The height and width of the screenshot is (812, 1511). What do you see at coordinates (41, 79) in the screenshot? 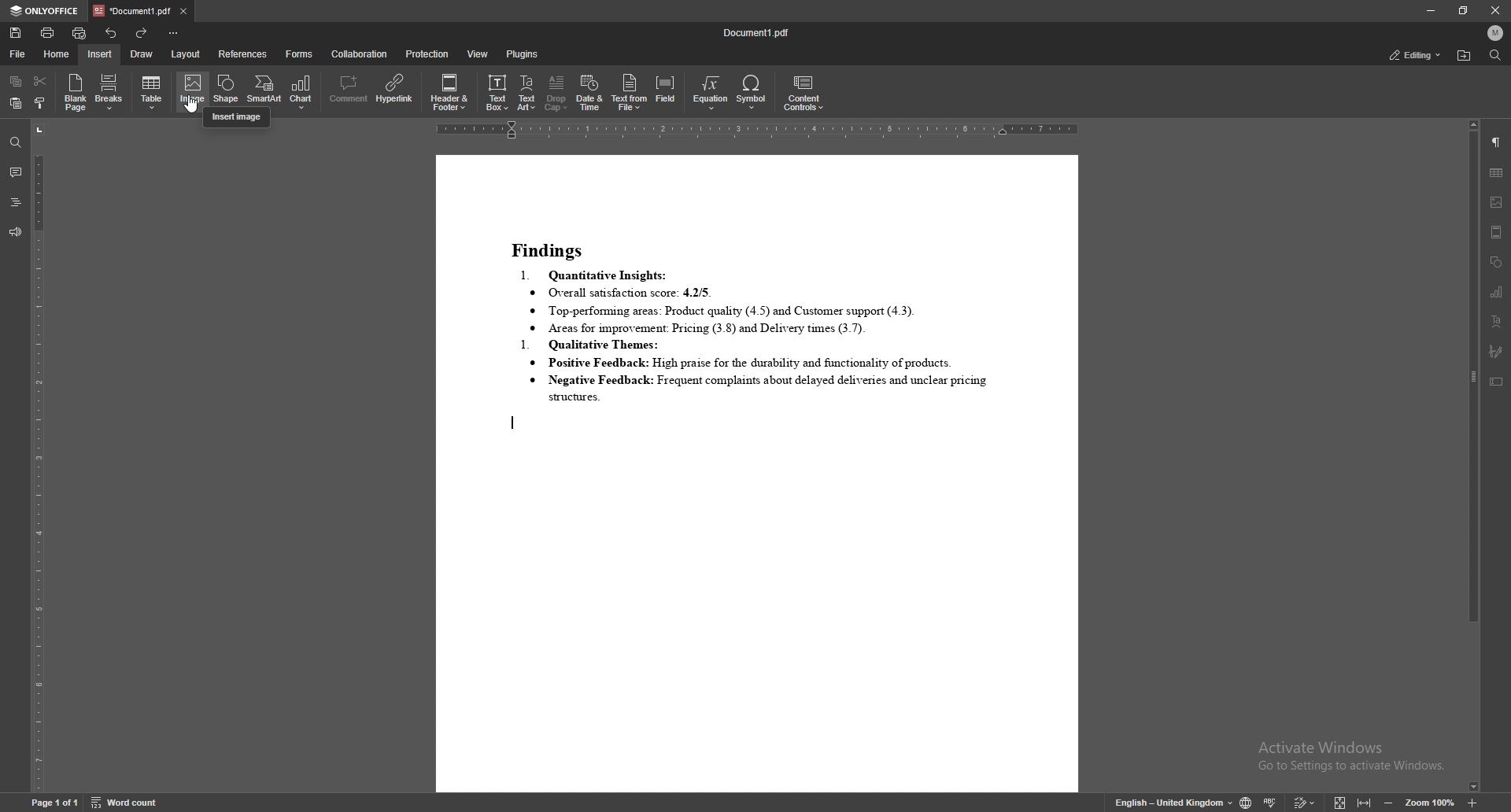
I see `cut` at bounding box center [41, 79].